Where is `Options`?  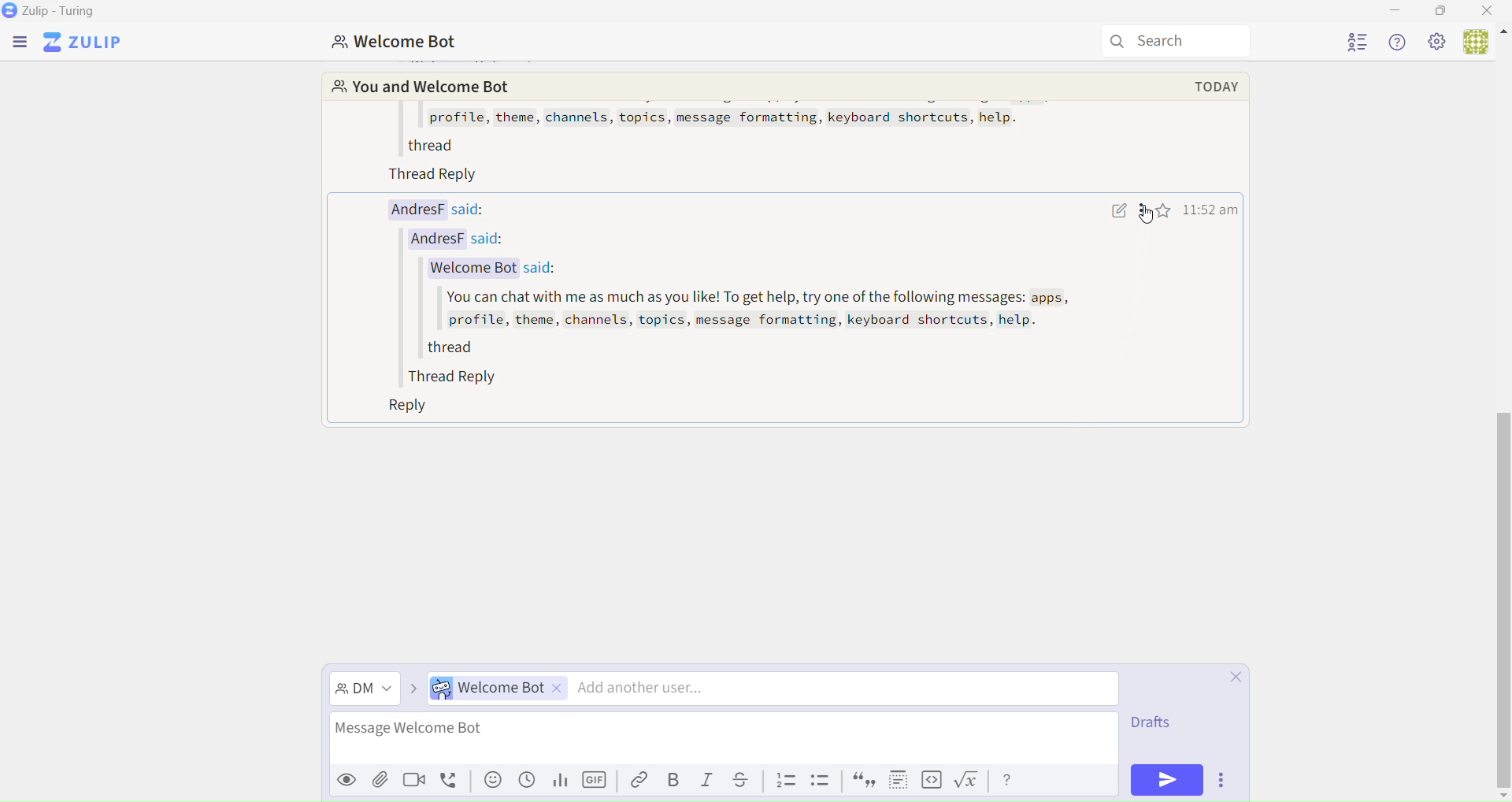
Options is located at coordinates (1221, 779).